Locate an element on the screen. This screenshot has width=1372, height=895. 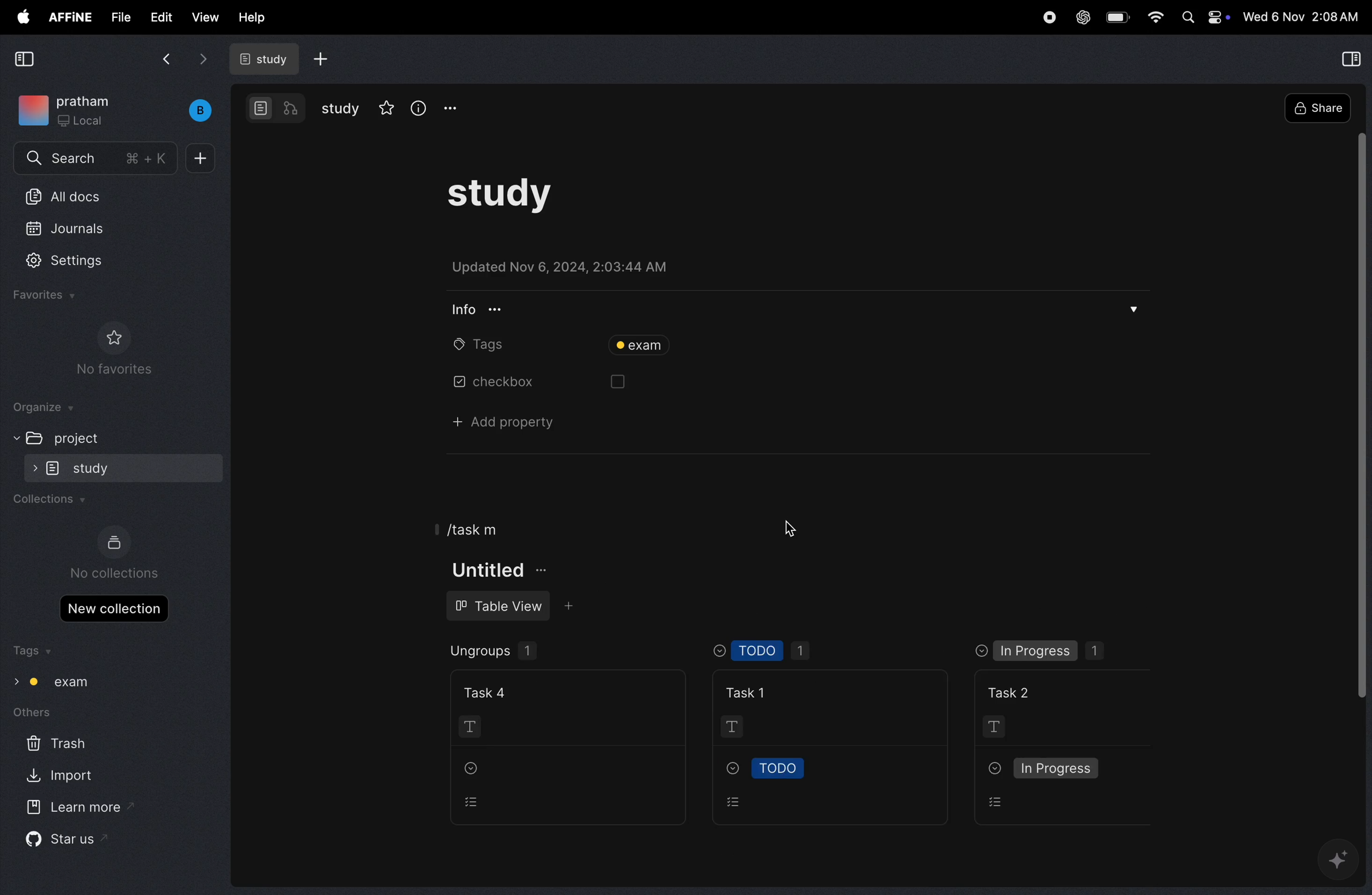
import is located at coordinates (61, 776).